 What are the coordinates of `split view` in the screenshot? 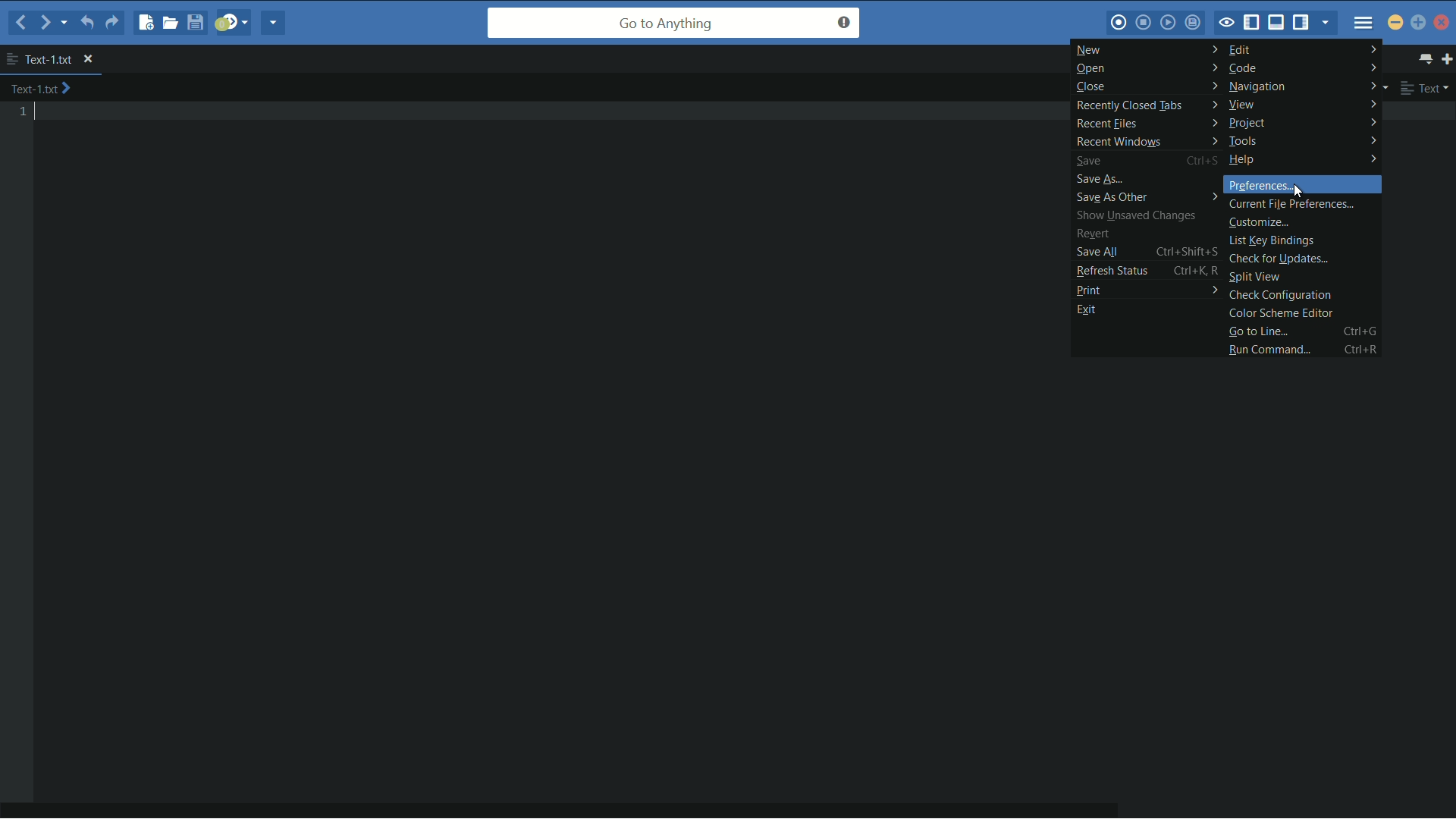 It's located at (1256, 277).